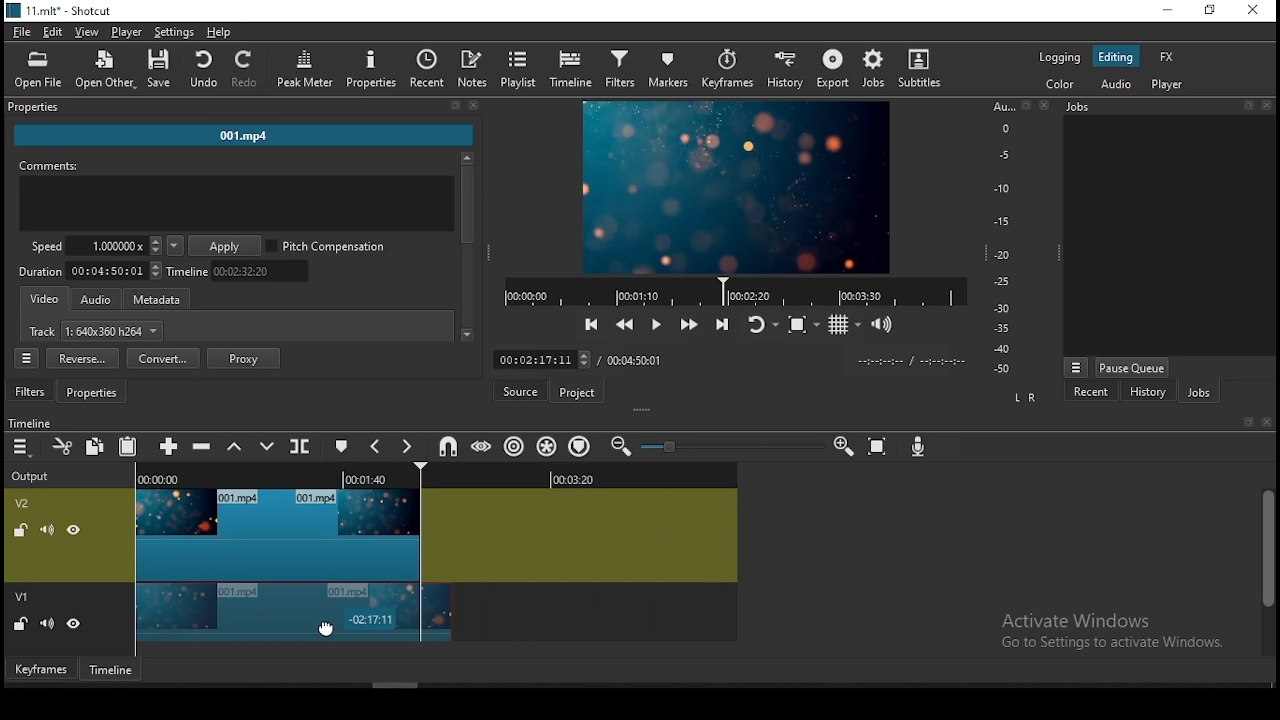 This screenshot has width=1280, height=720. What do you see at coordinates (407, 448) in the screenshot?
I see `next marker` at bounding box center [407, 448].